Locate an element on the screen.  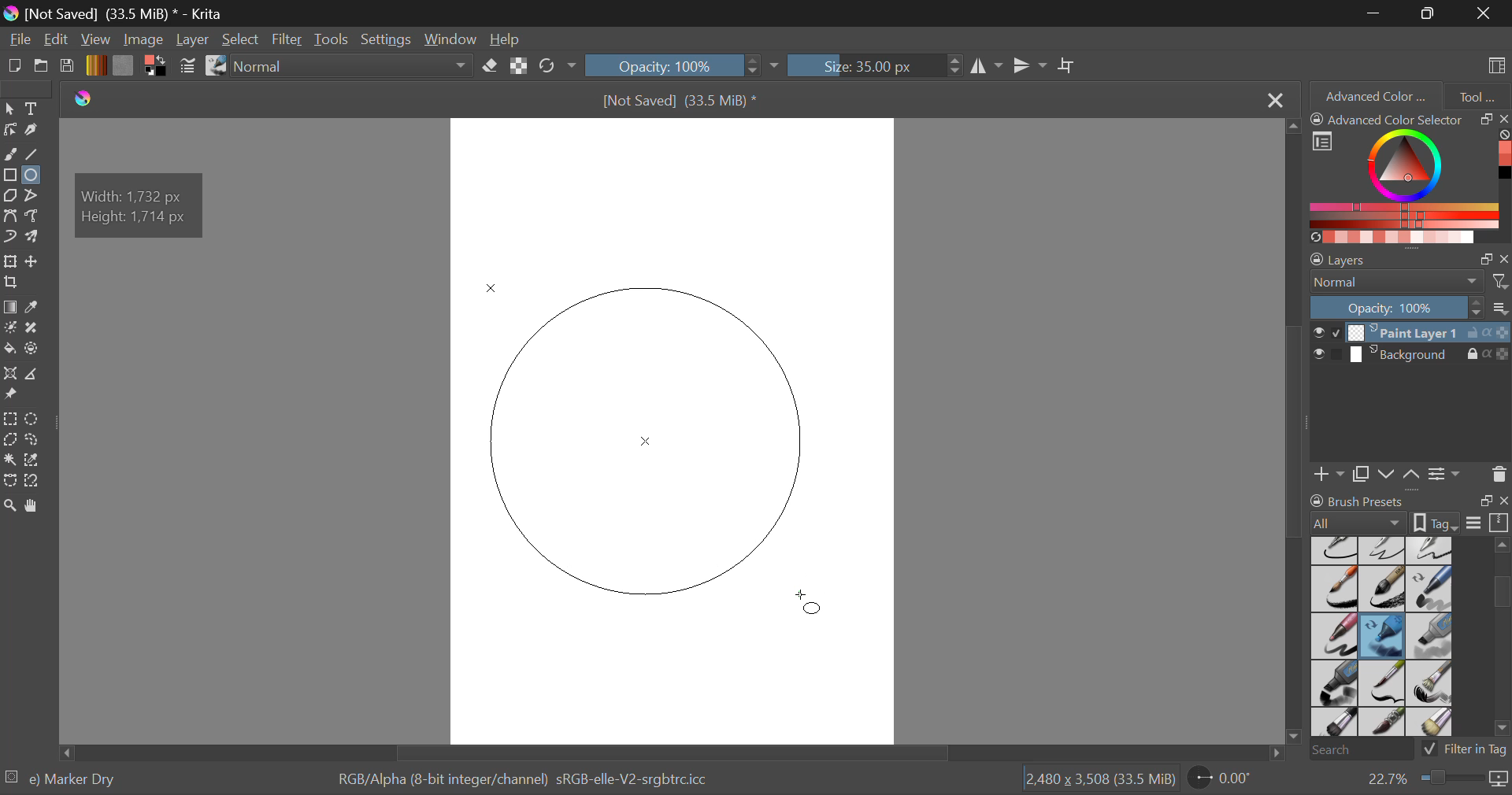
Ink-3 Gpen is located at coordinates (1384, 550).